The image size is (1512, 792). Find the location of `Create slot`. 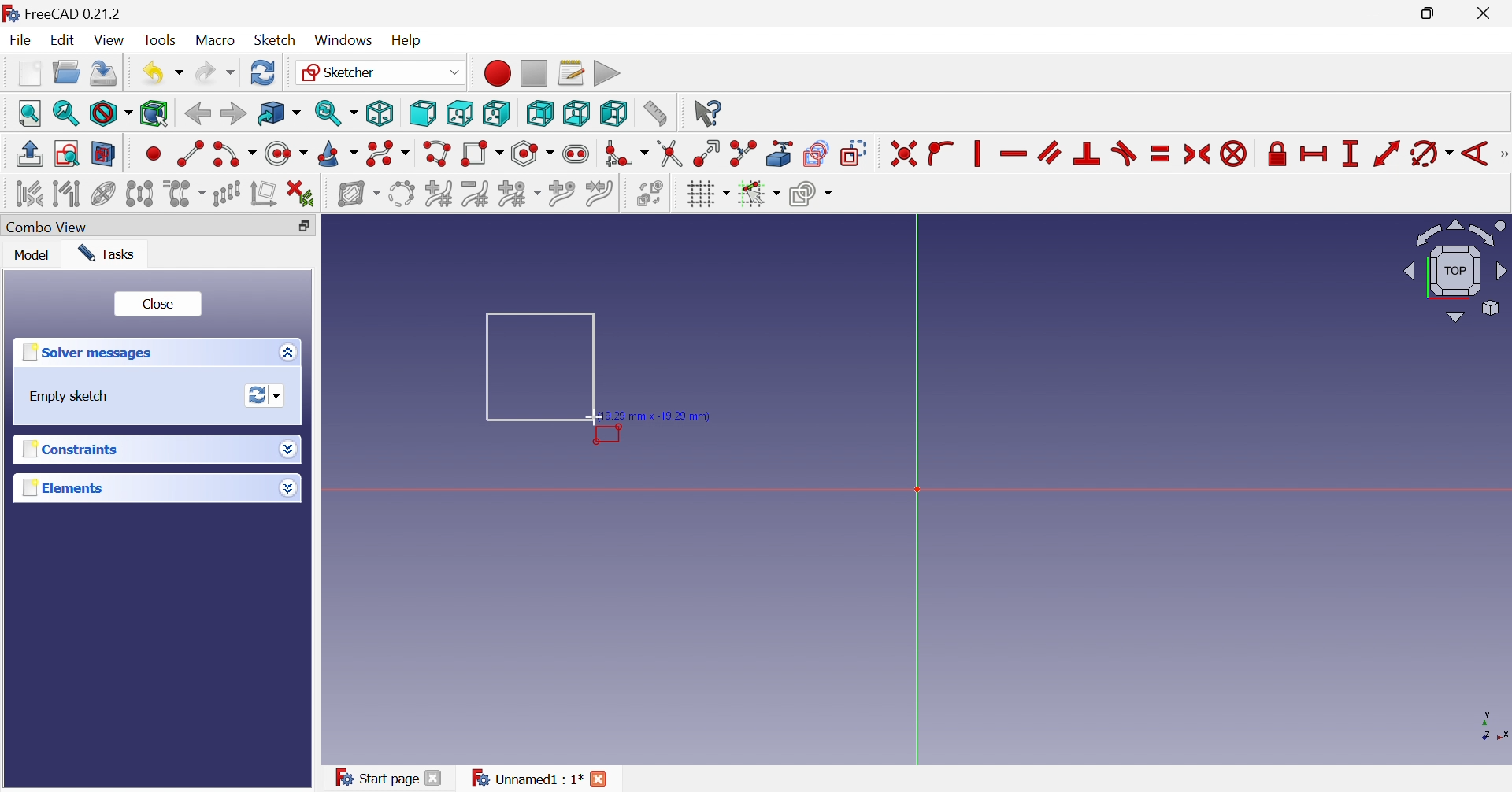

Create slot is located at coordinates (578, 154).